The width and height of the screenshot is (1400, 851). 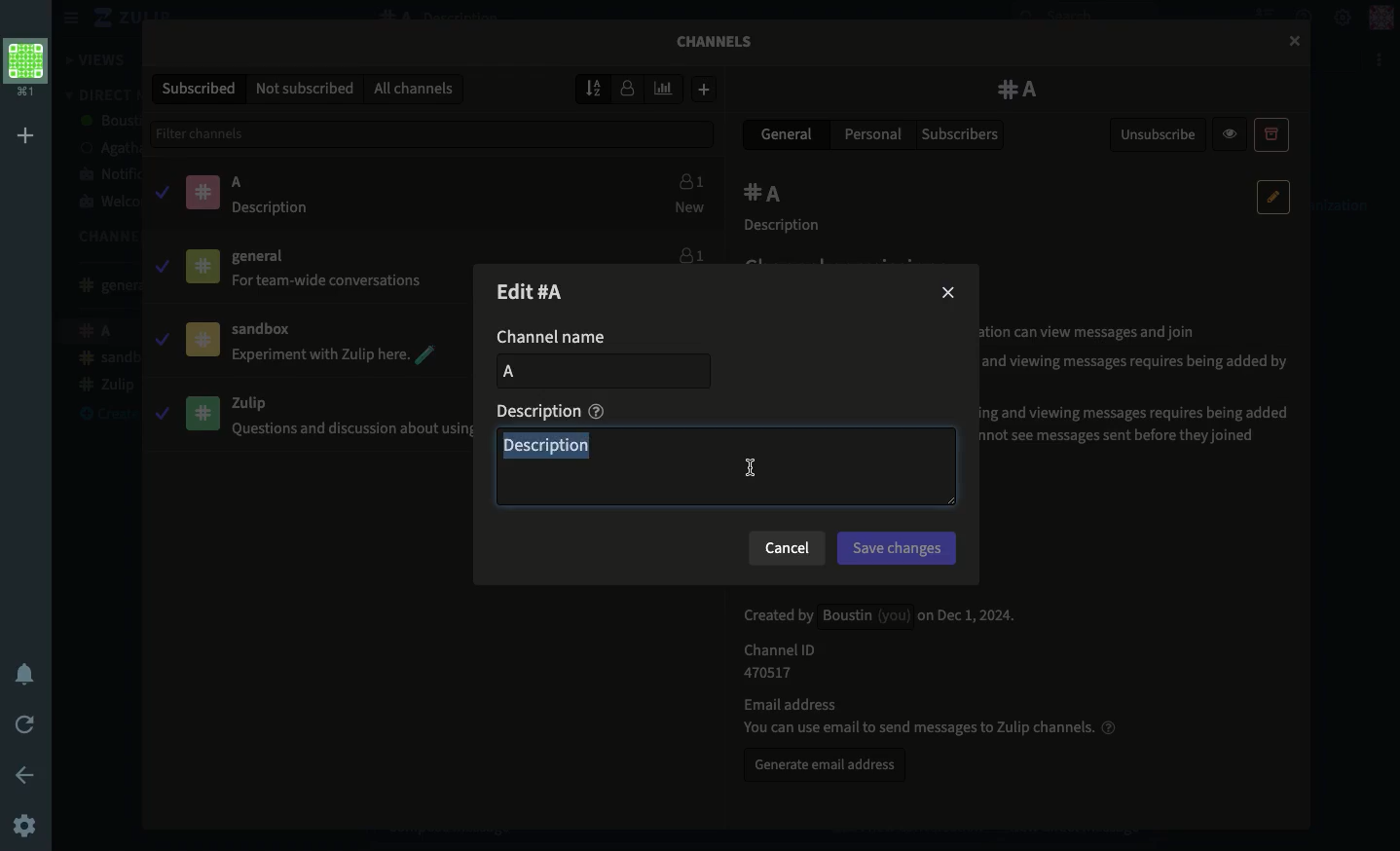 I want to click on Cancel, so click(x=787, y=550).